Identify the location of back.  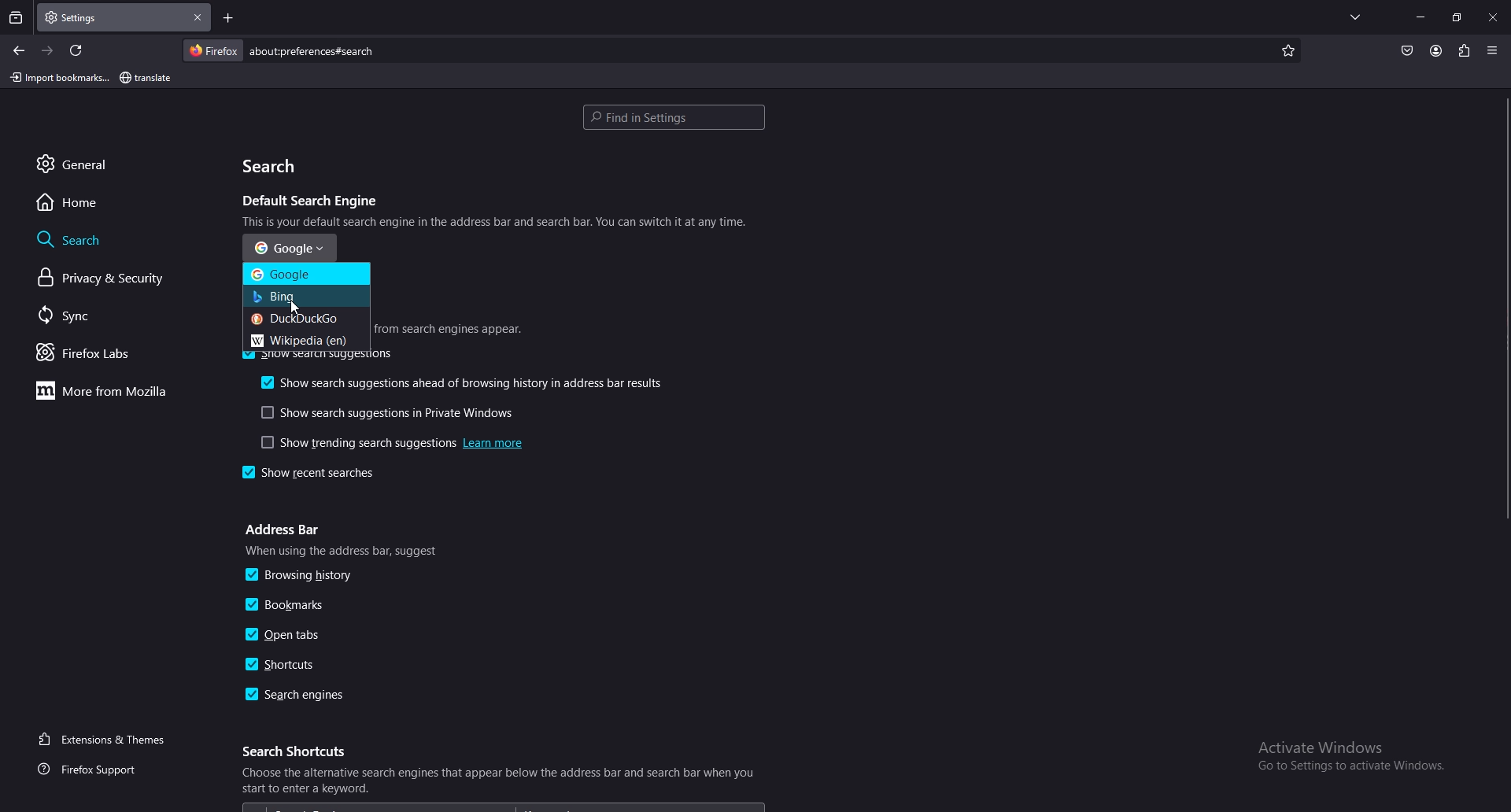
(20, 51).